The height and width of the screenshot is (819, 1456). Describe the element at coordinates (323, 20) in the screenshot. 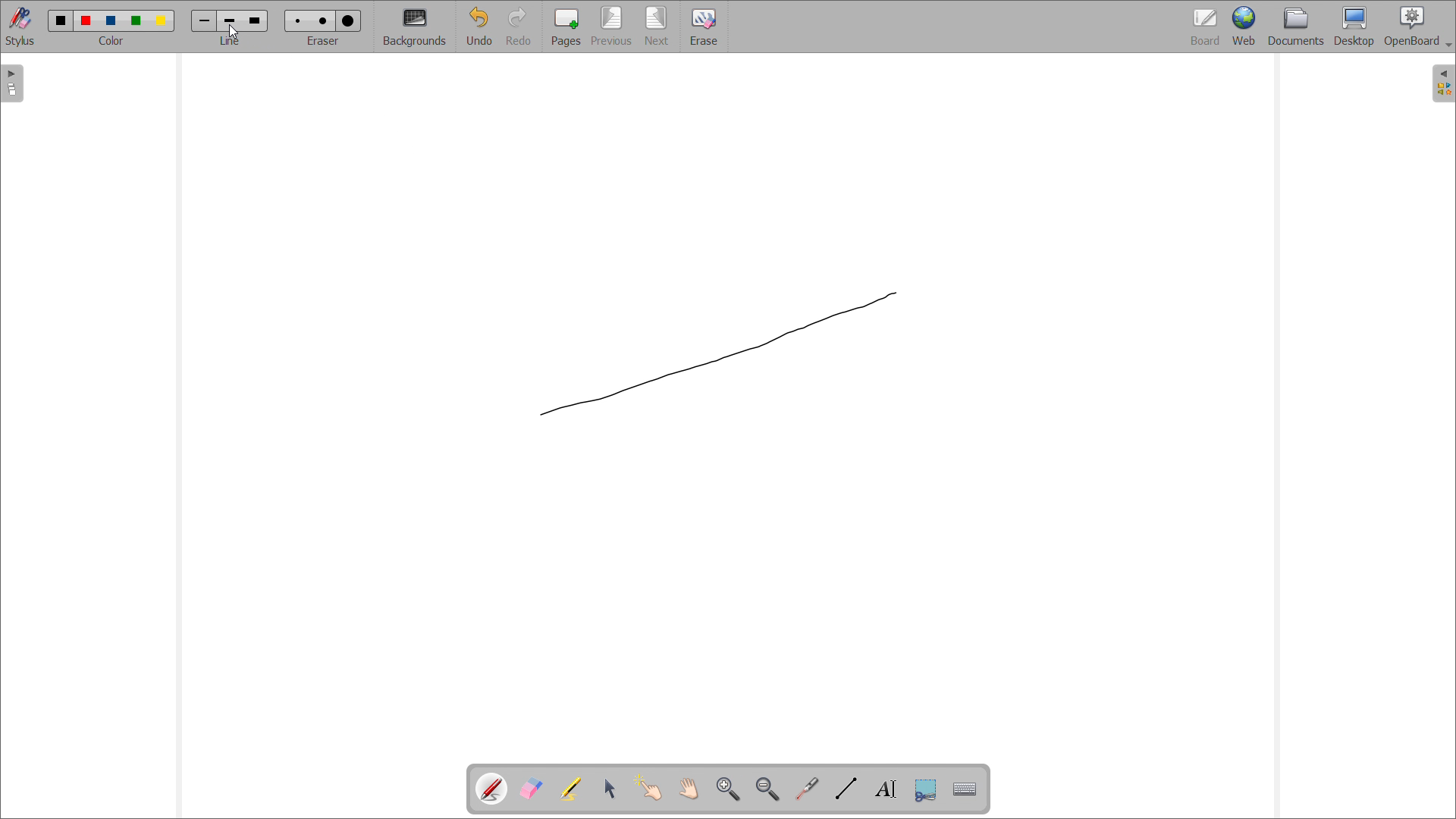

I see `Eraser size` at that location.